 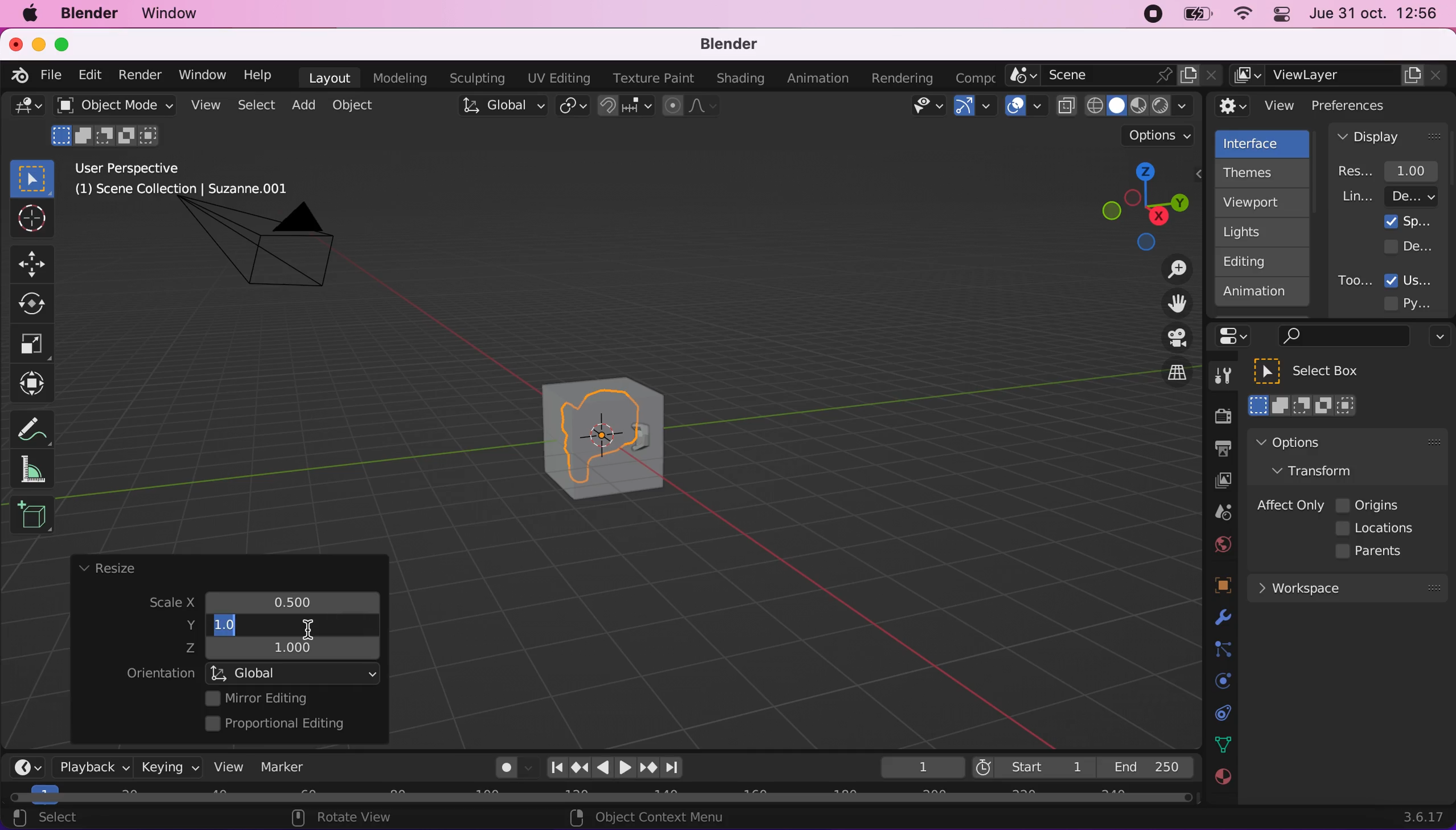 What do you see at coordinates (1032, 767) in the screenshot?
I see `start 1` at bounding box center [1032, 767].